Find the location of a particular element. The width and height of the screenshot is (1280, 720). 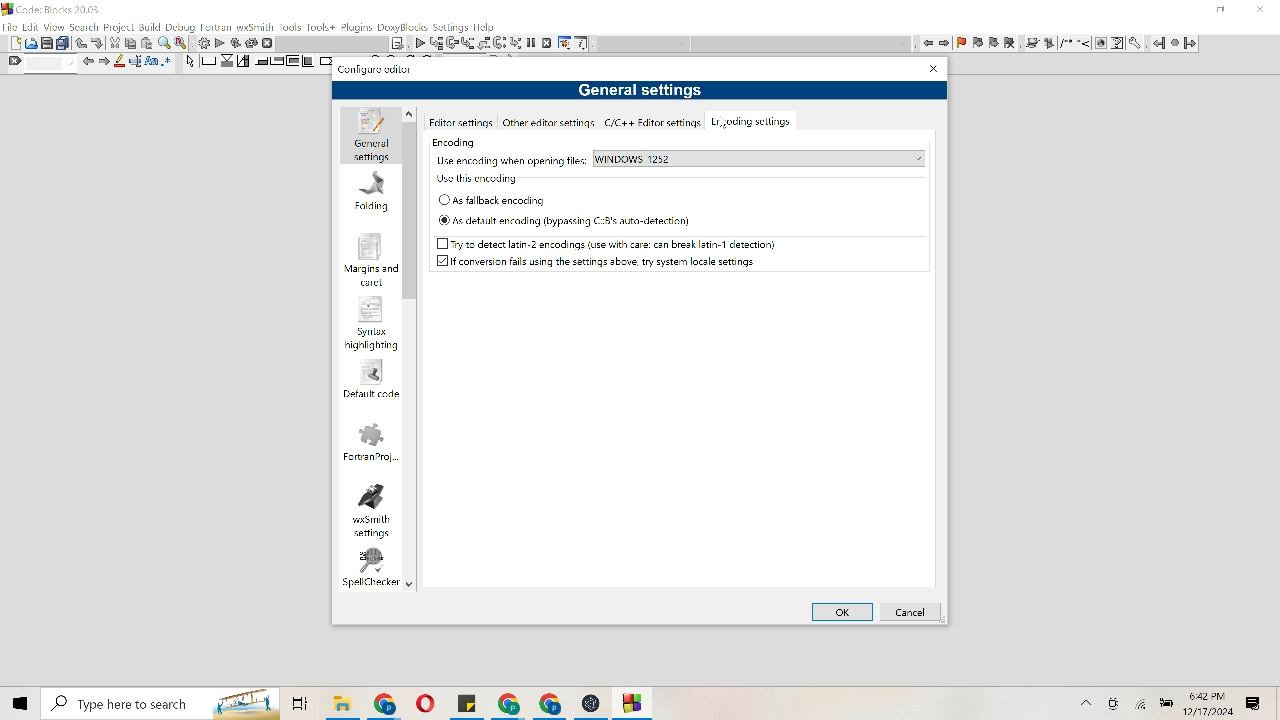

folders is located at coordinates (299, 704).